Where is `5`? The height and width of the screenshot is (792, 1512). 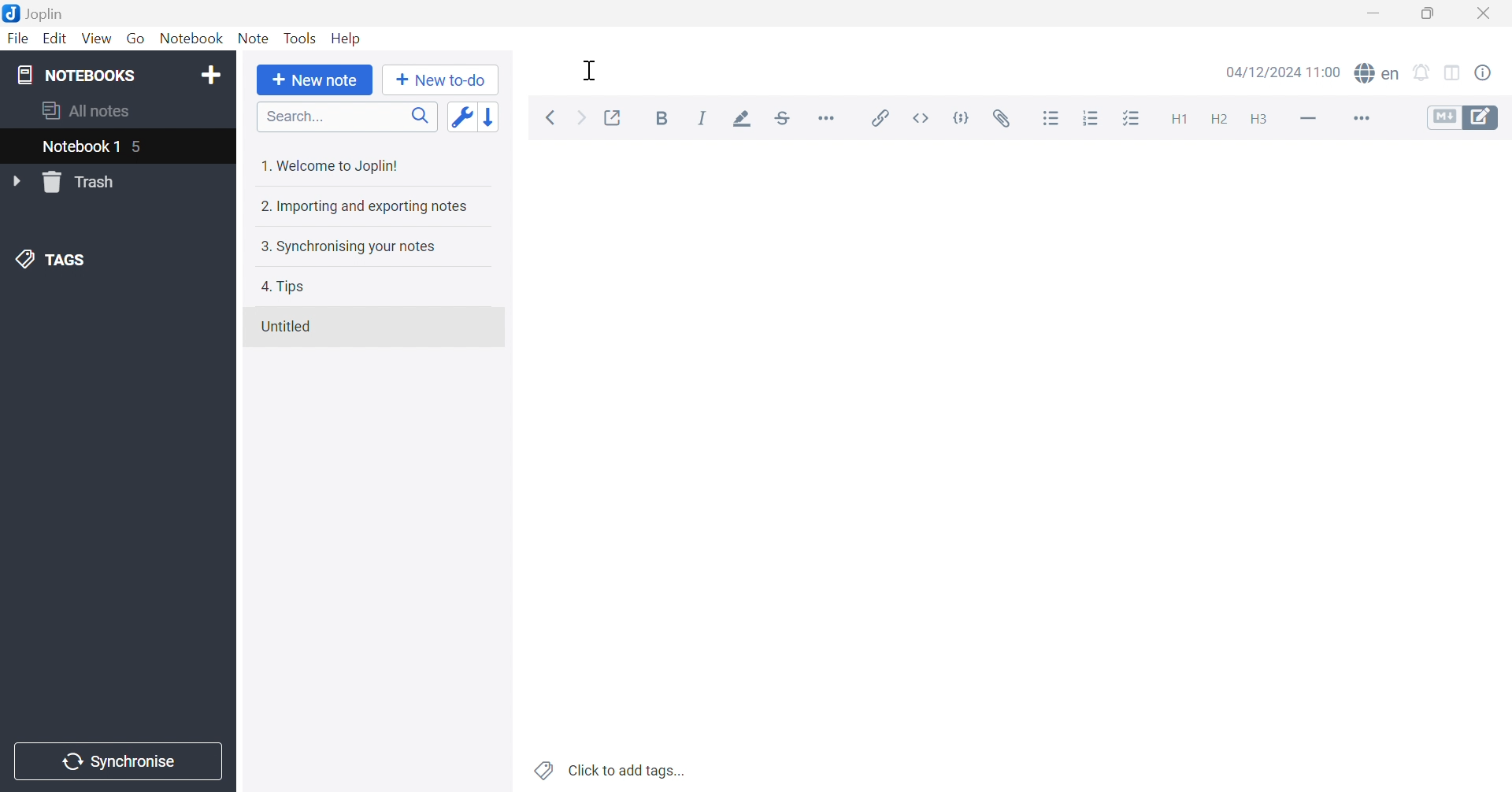 5 is located at coordinates (145, 147).